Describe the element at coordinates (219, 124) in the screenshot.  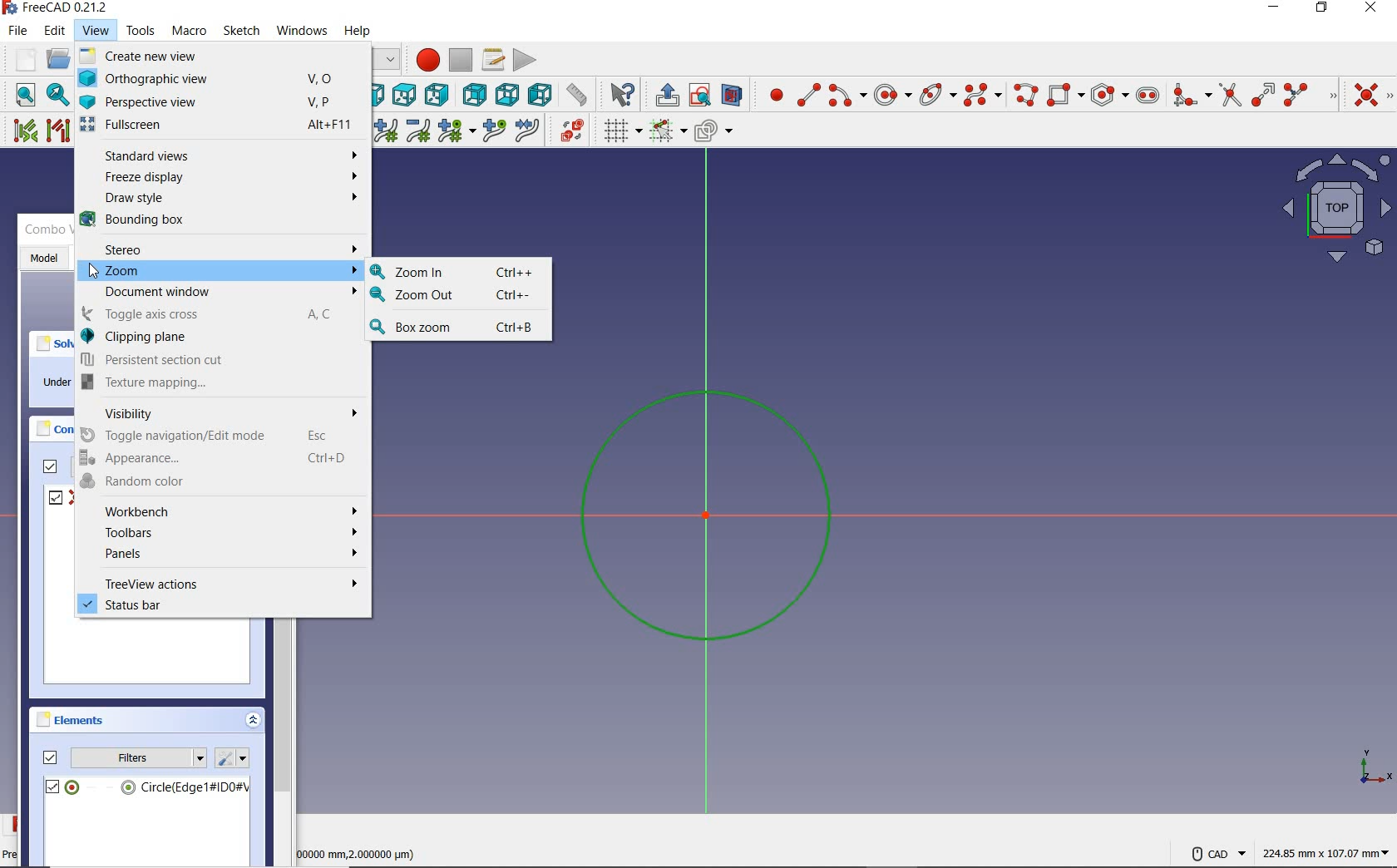
I see `Fullscreen` at that location.